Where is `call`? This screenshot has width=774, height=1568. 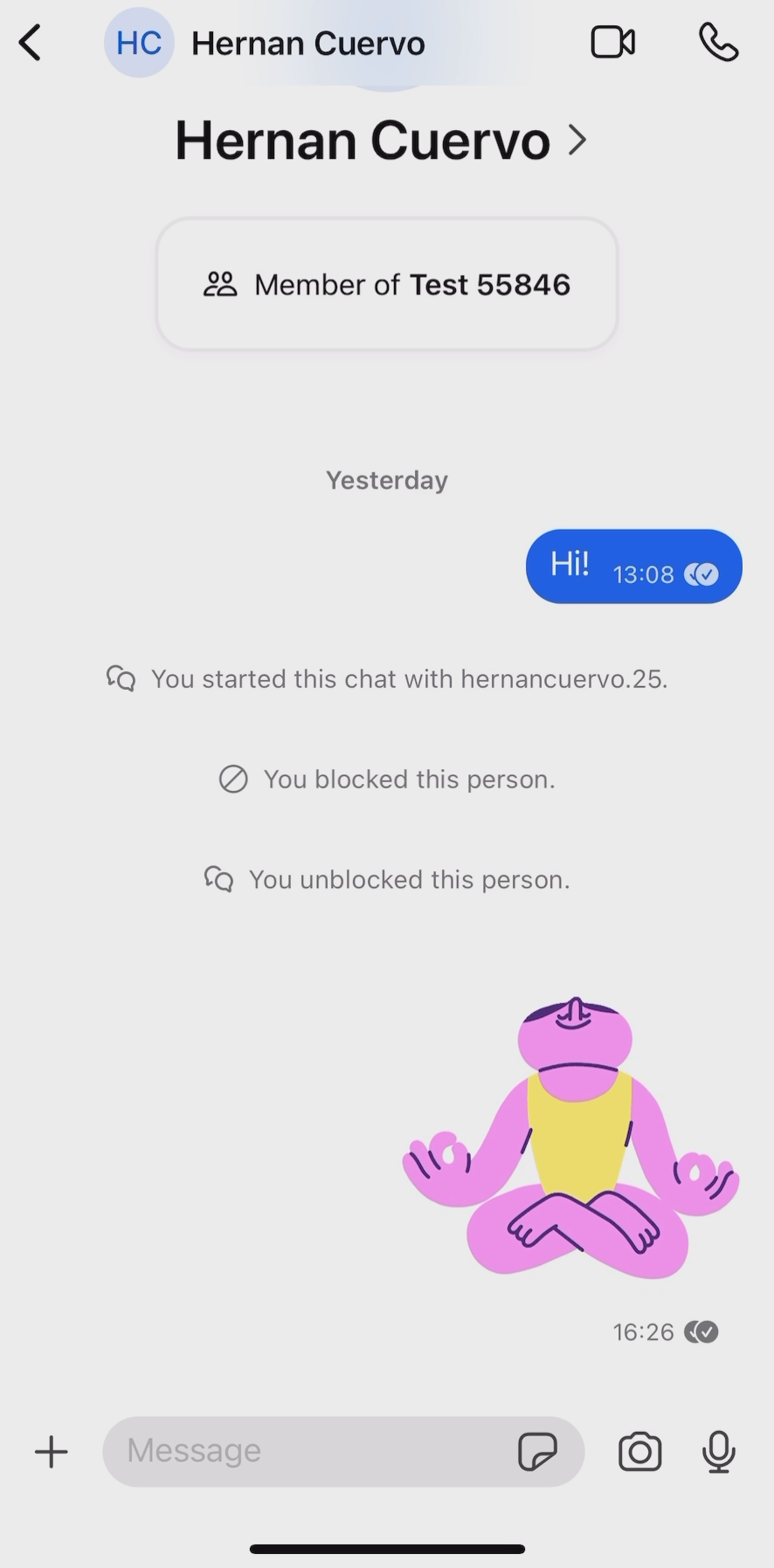 call is located at coordinates (720, 43).